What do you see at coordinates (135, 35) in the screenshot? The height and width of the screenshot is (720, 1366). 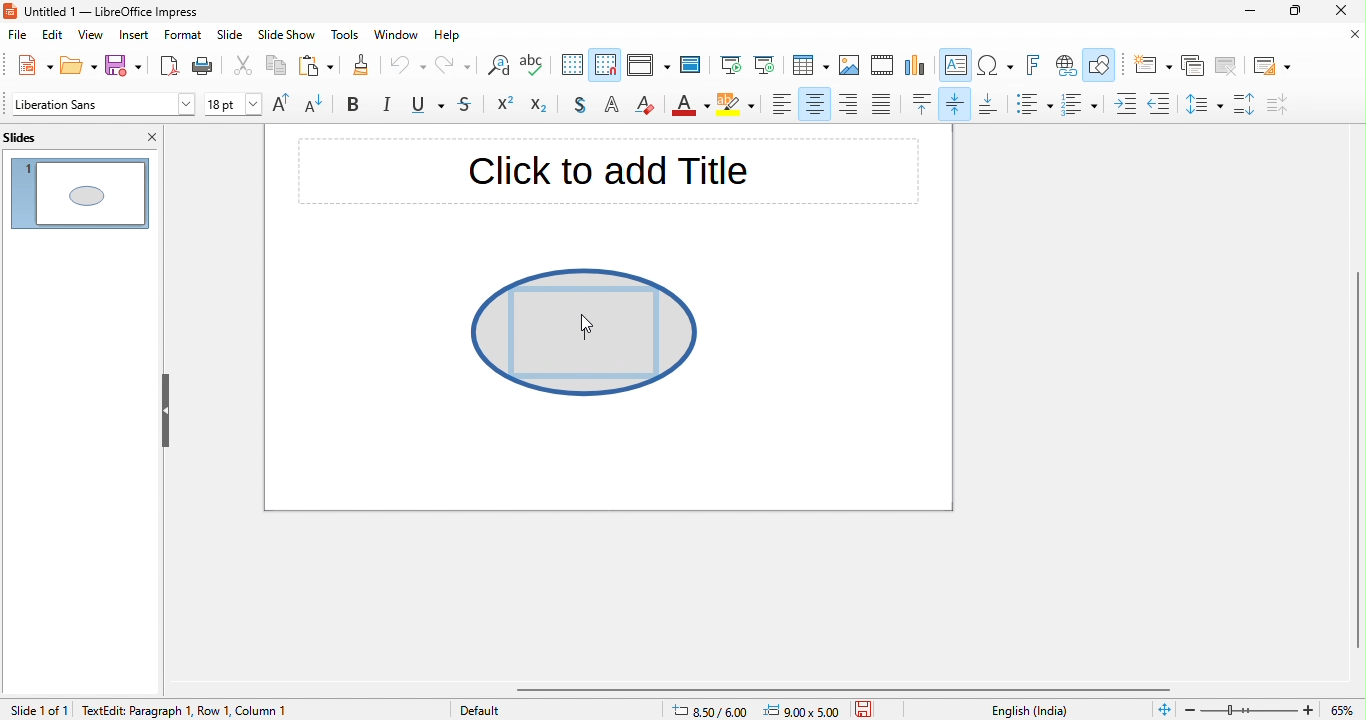 I see `insert ` at bounding box center [135, 35].